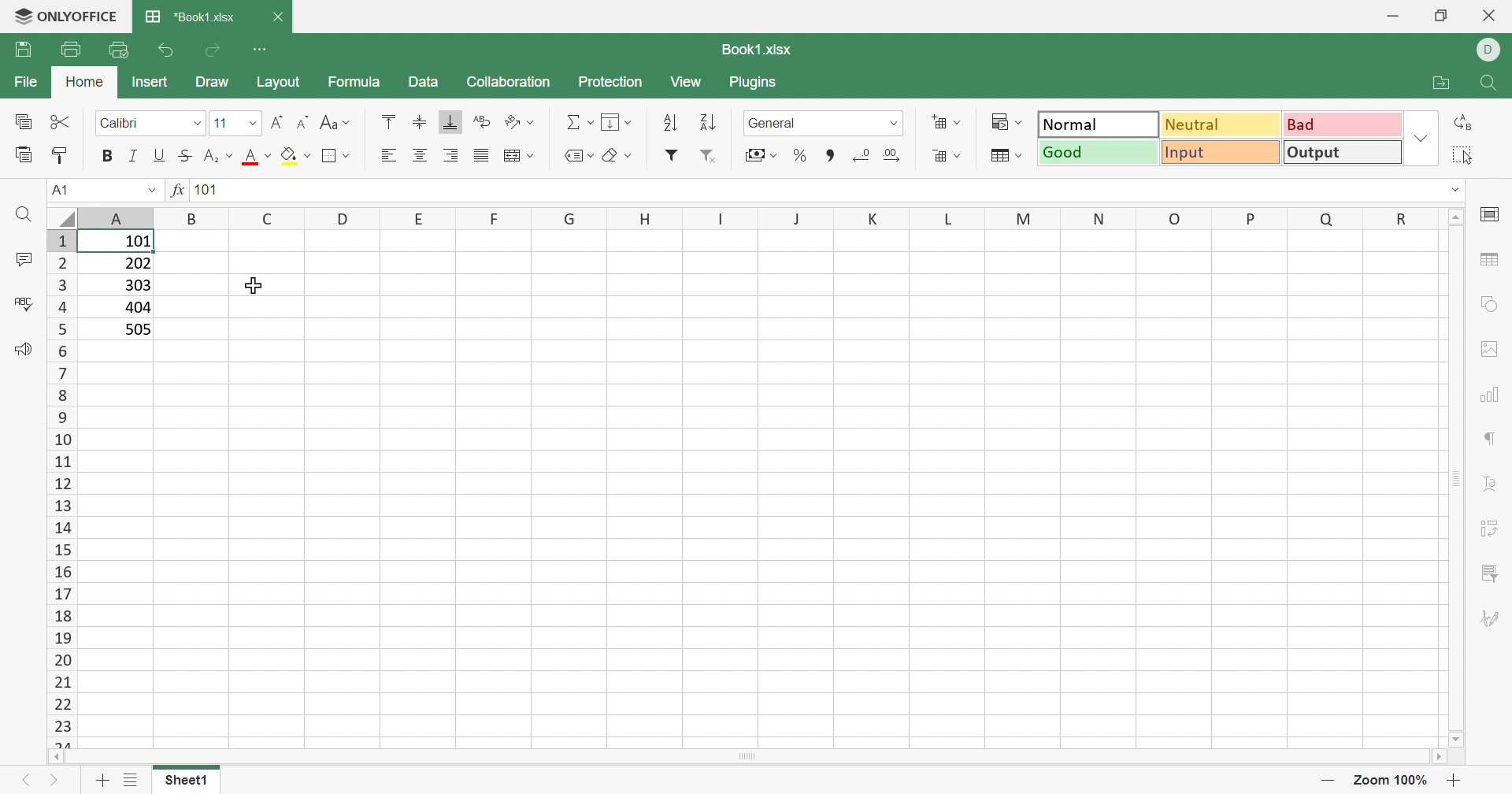 Image resolution: width=1512 pixels, height=794 pixels. I want to click on Ascending order, so click(675, 123).